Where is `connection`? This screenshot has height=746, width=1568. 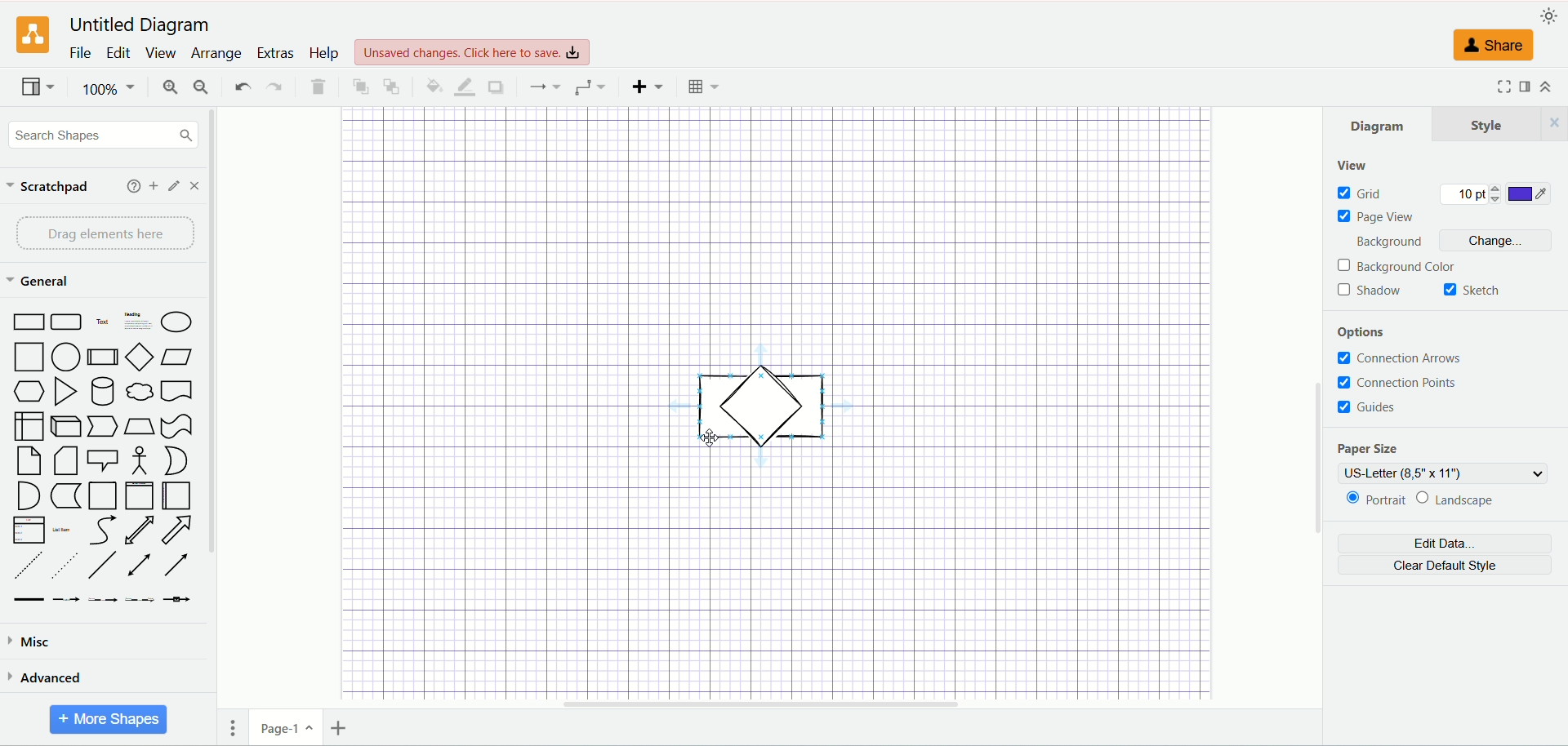 connection is located at coordinates (590, 88).